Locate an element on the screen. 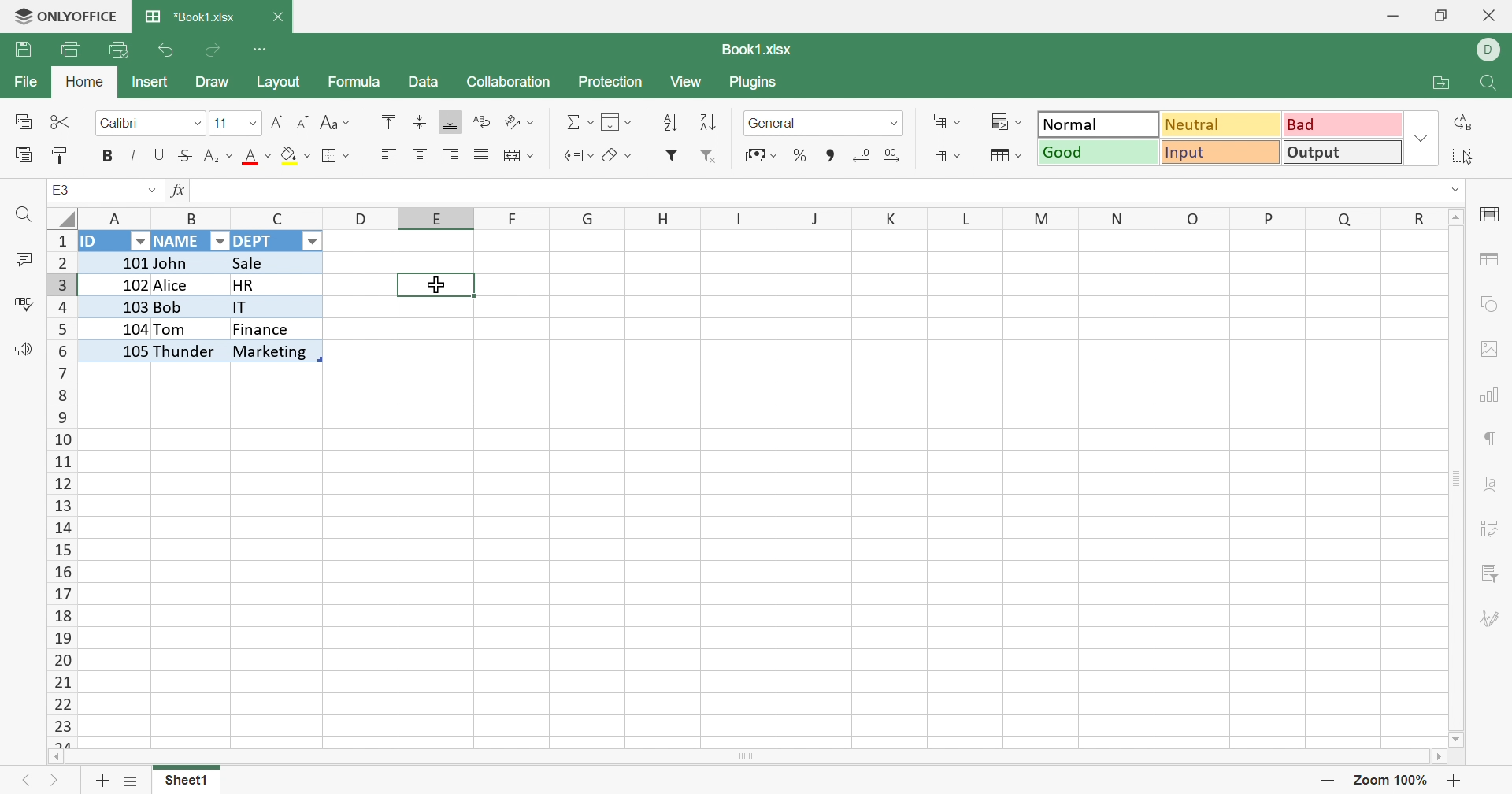 The width and height of the screenshot is (1512, 794). Finance is located at coordinates (264, 331).